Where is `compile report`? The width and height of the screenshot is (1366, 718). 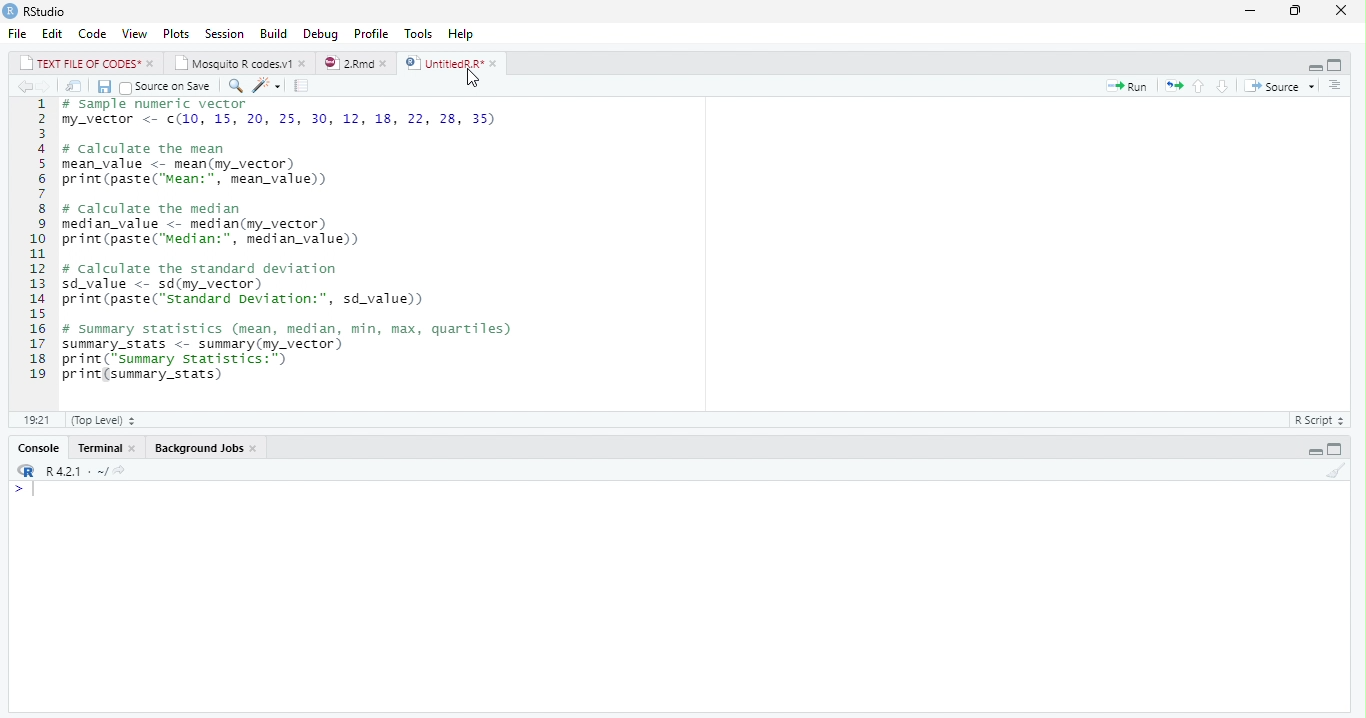
compile report is located at coordinates (304, 85).